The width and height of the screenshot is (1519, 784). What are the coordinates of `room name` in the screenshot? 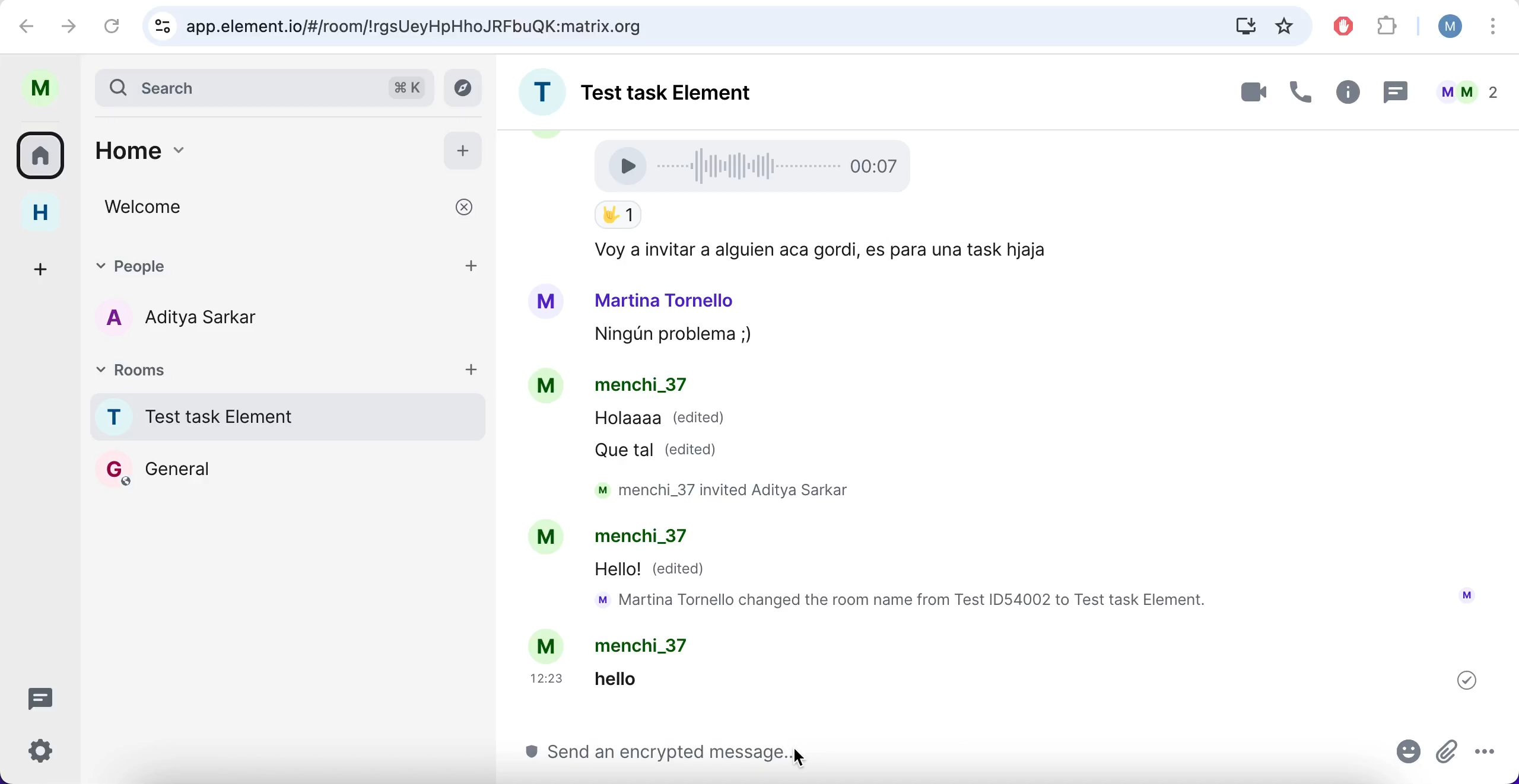 It's located at (284, 416).